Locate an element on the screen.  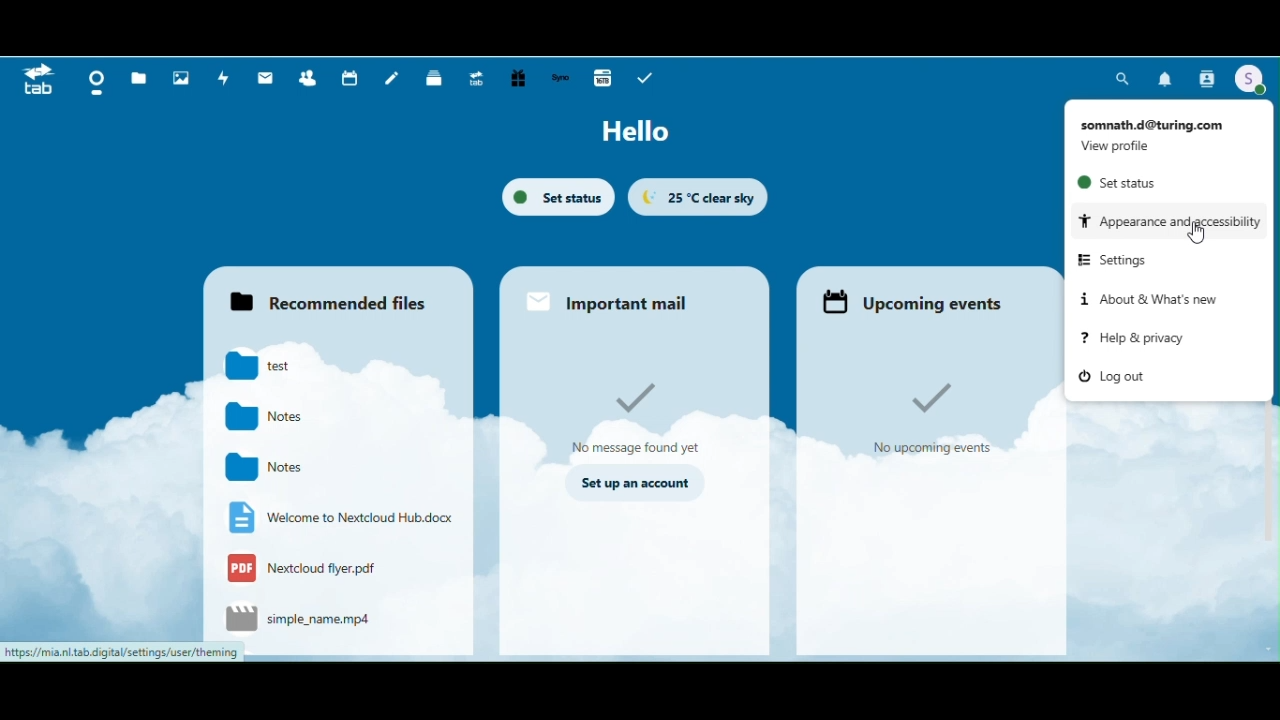
Settings is located at coordinates (1123, 259).